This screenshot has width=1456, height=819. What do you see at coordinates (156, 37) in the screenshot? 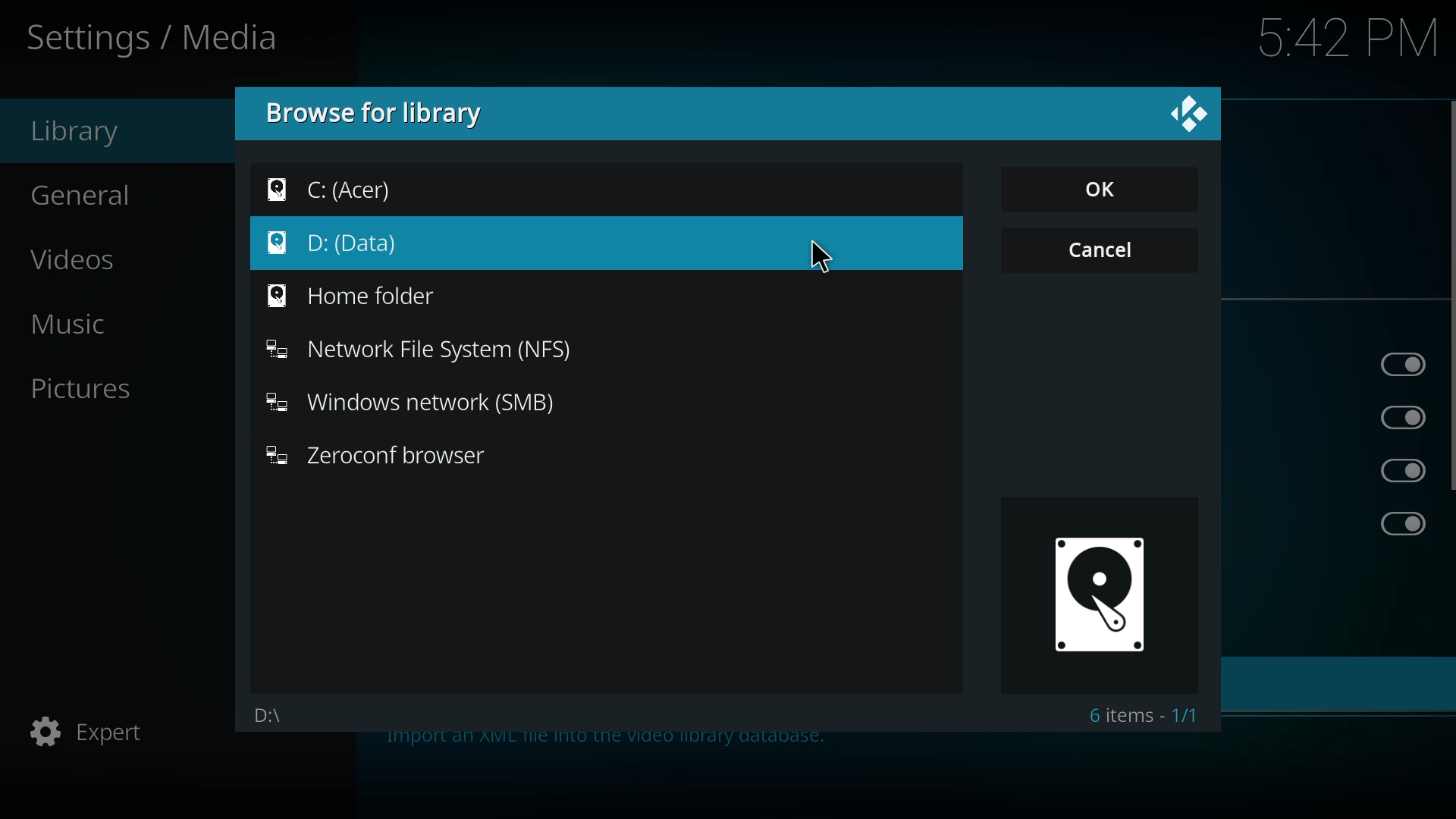
I see `settings media` at bounding box center [156, 37].